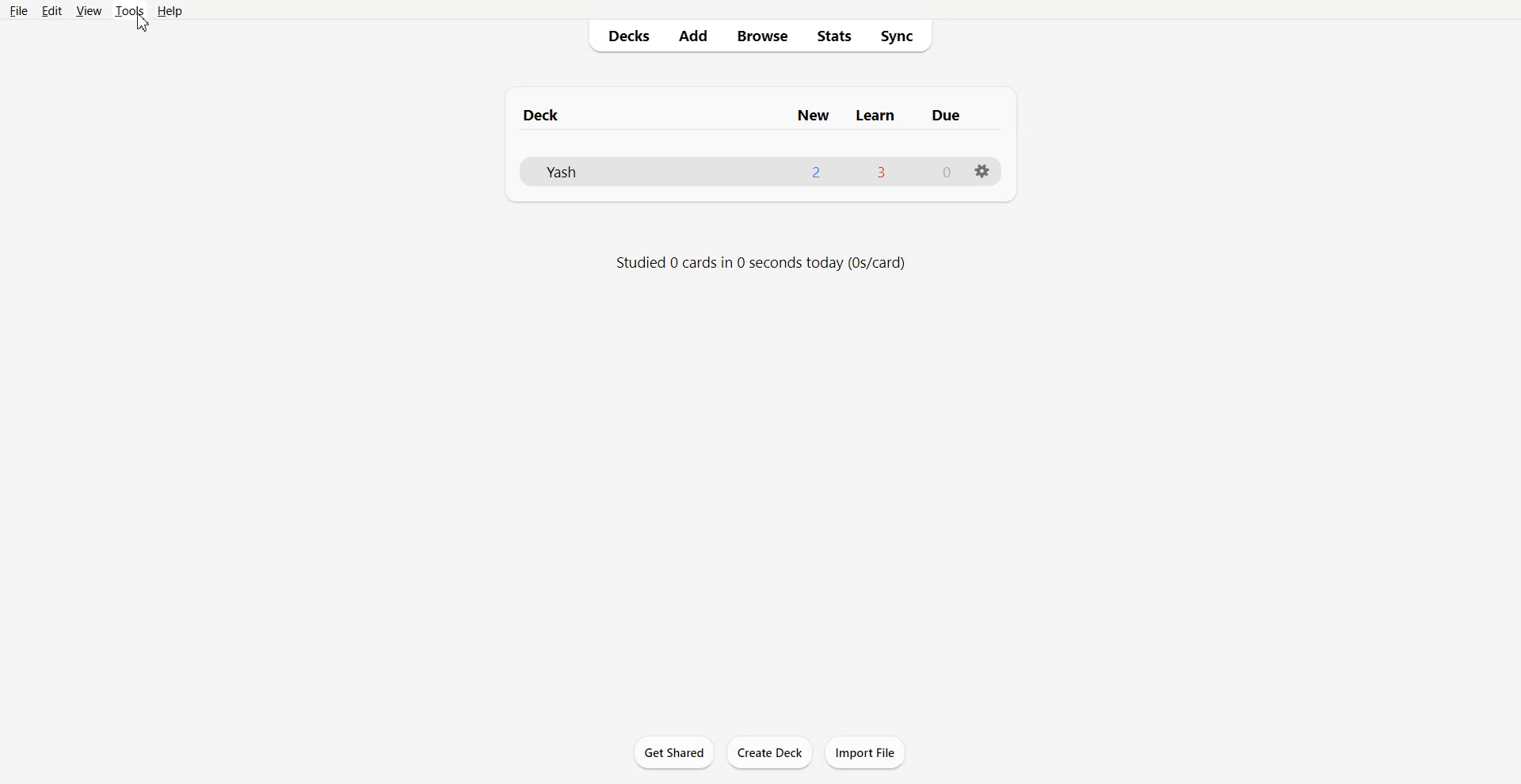 The width and height of the screenshot is (1521, 784). What do you see at coordinates (947, 116) in the screenshot?
I see `Due` at bounding box center [947, 116].